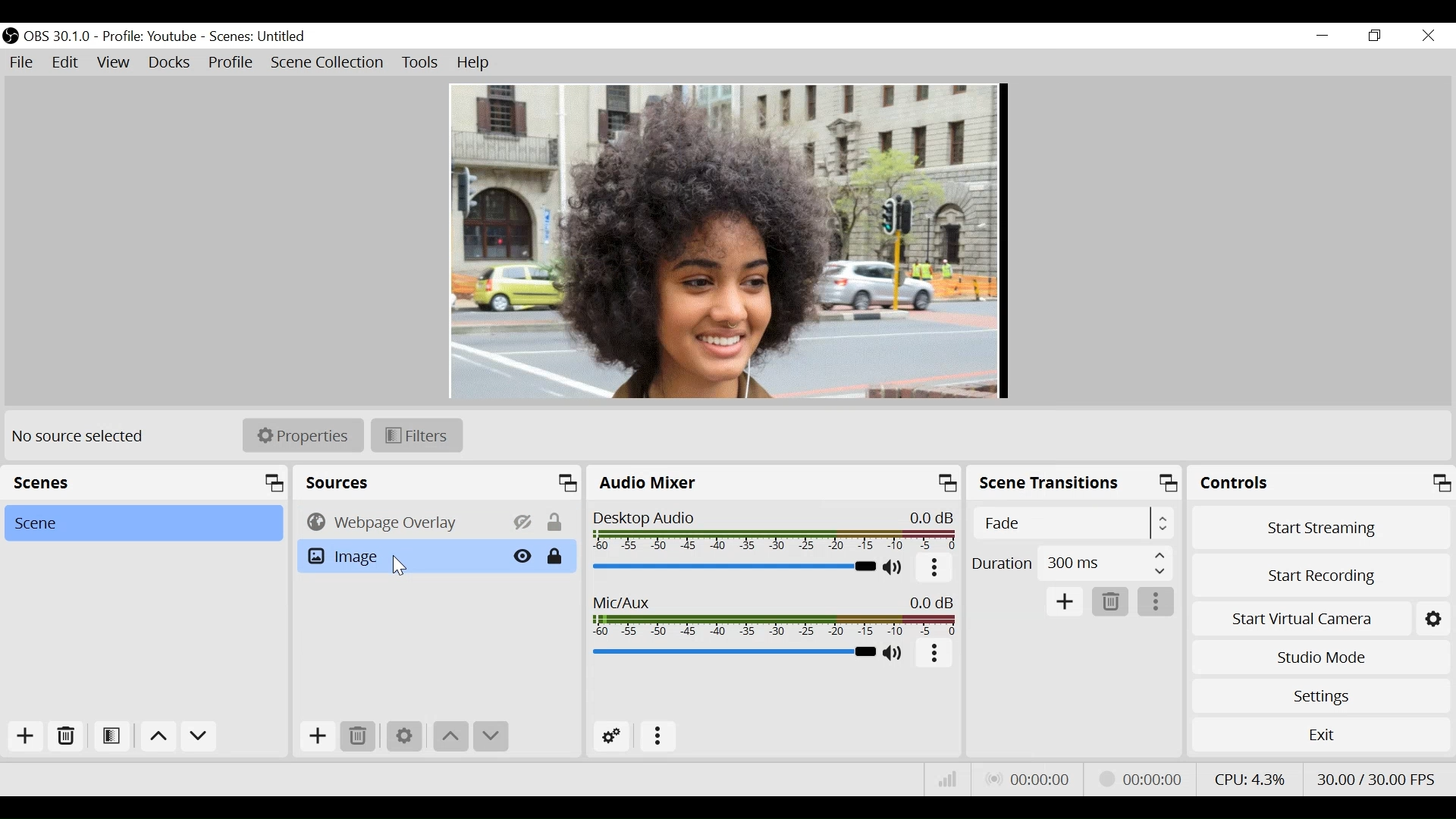 The image size is (1456, 819). Describe the element at coordinates (1030, 779) in the screenshot. I see `Live Status` at that location.